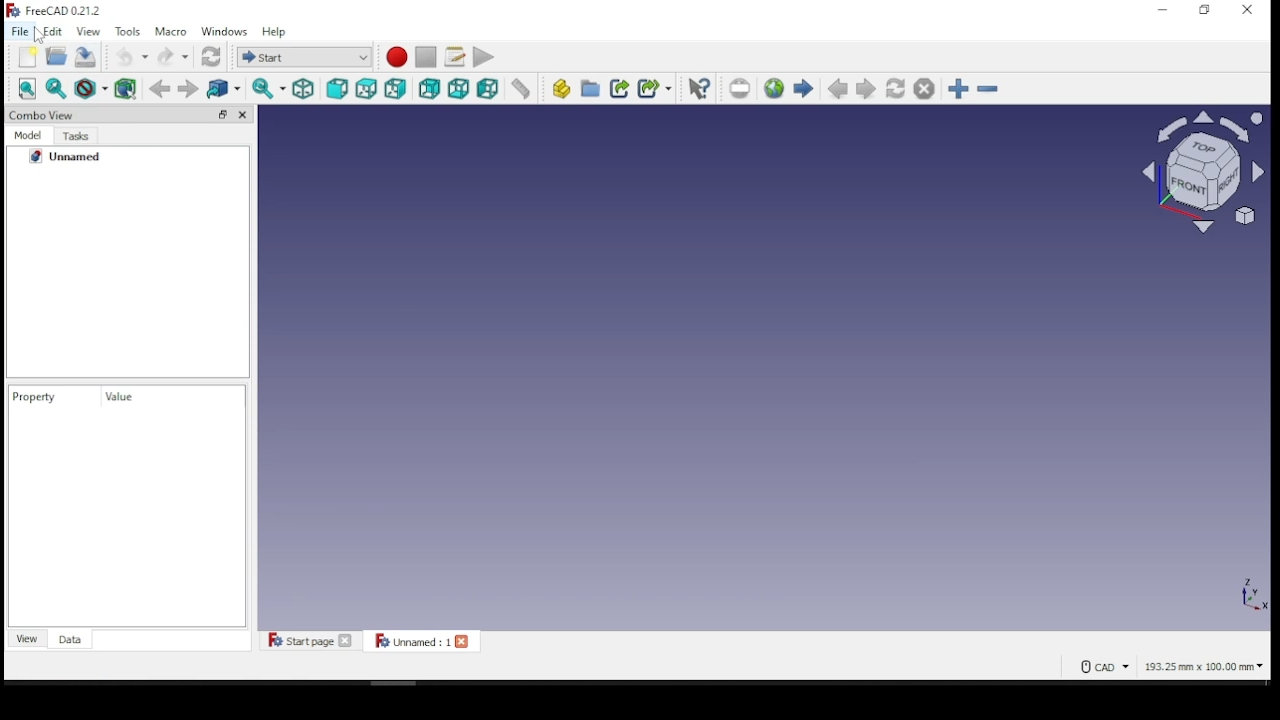 The image size is (1280, 720). Describe the element at coordinates (121, 397) in the screenshot. I see `value` at that location.